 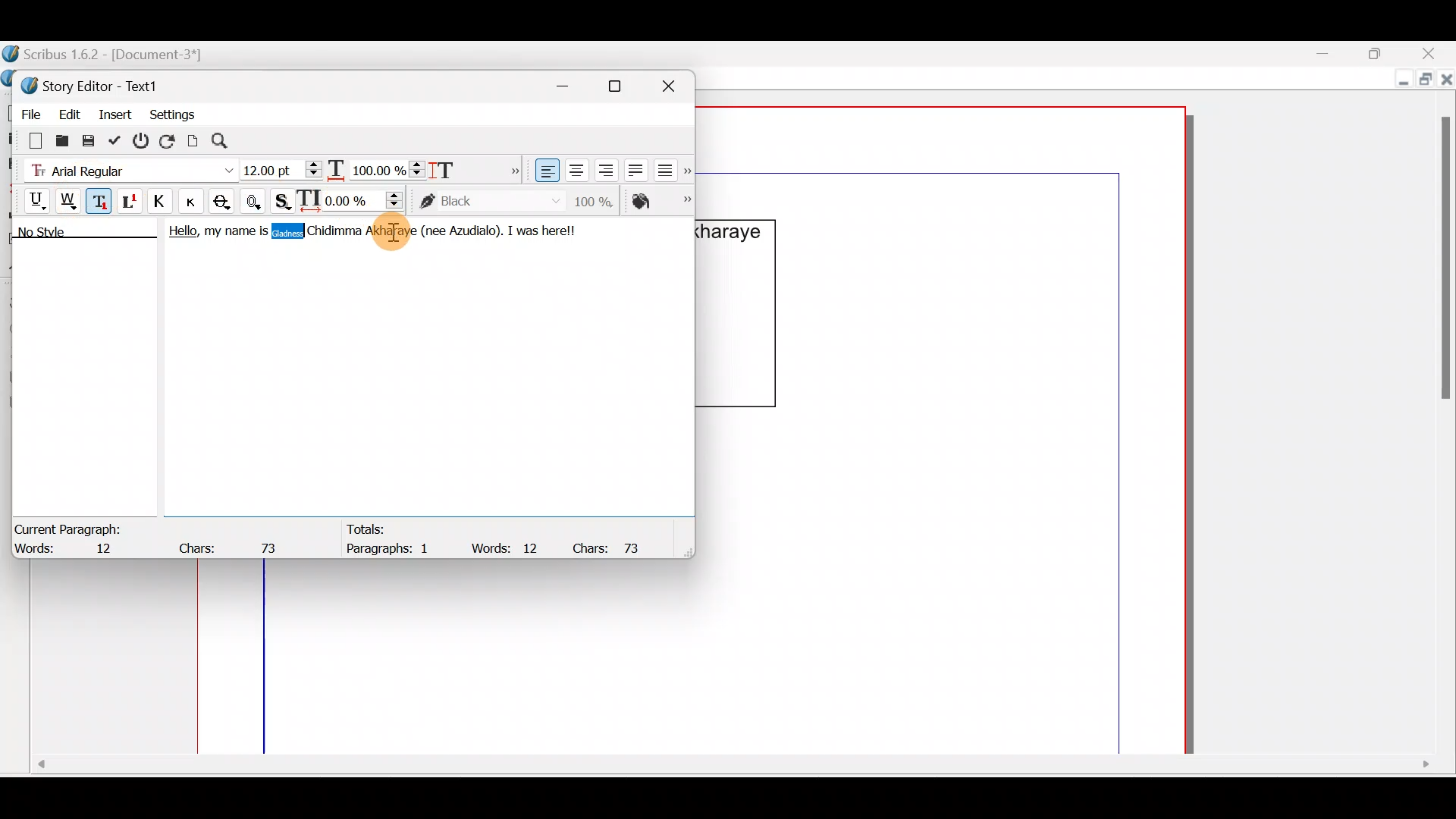 I want to click on Subscript, so click(x=101, y=199).